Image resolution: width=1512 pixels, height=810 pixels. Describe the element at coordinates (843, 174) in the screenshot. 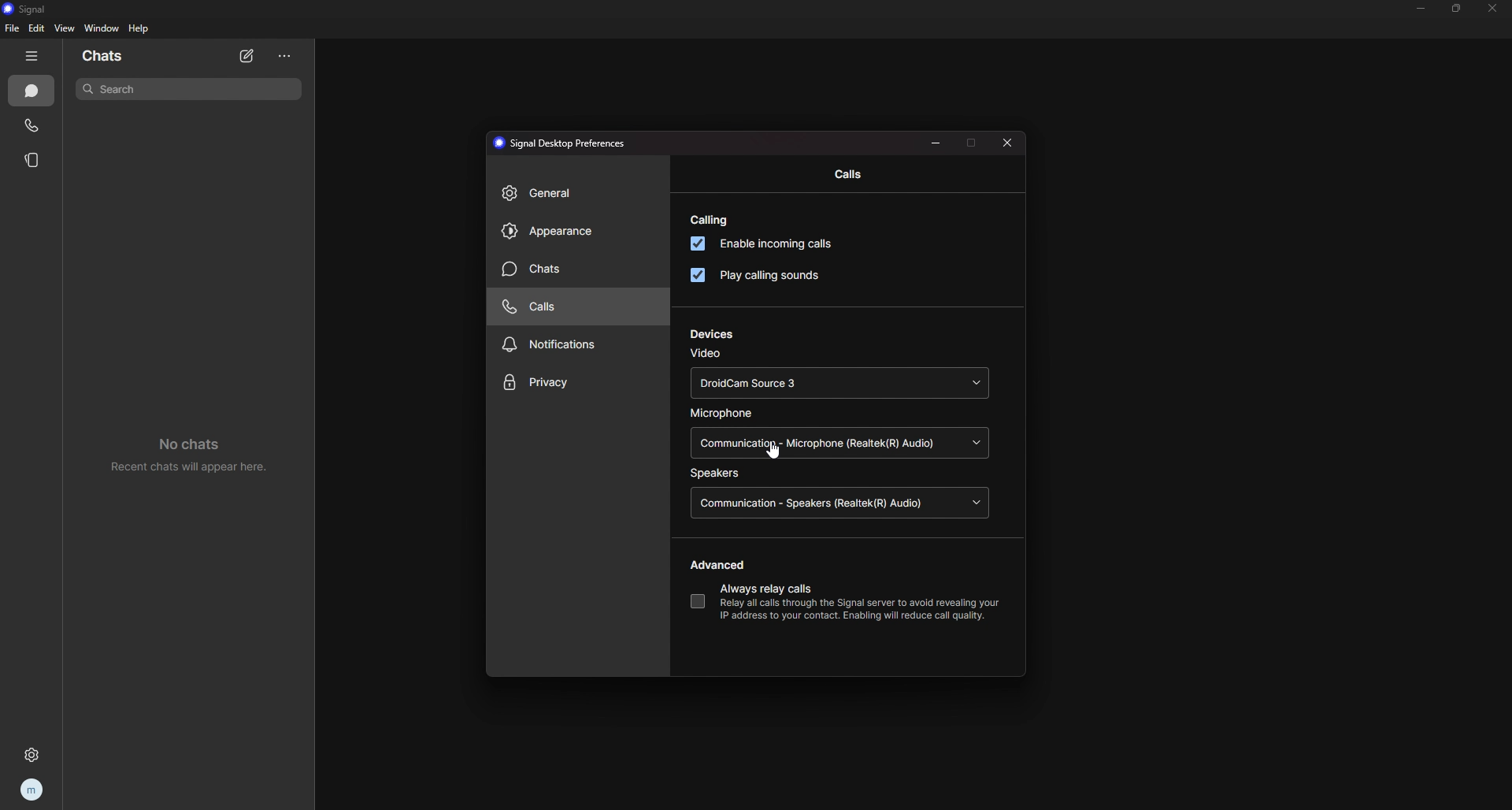

I see `calls` at that location.